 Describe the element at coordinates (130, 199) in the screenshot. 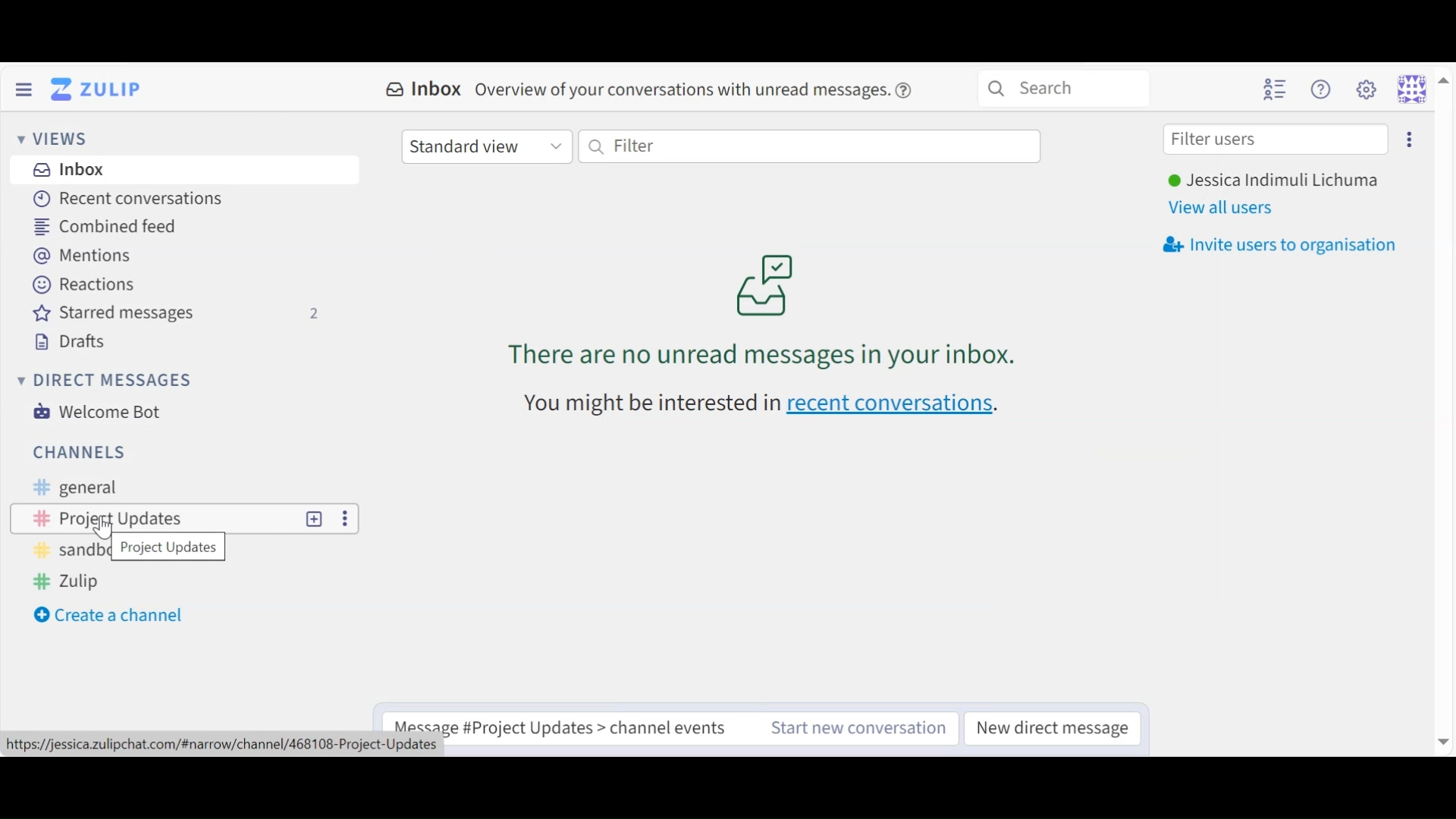

I see `Recent Conversations` at that location.